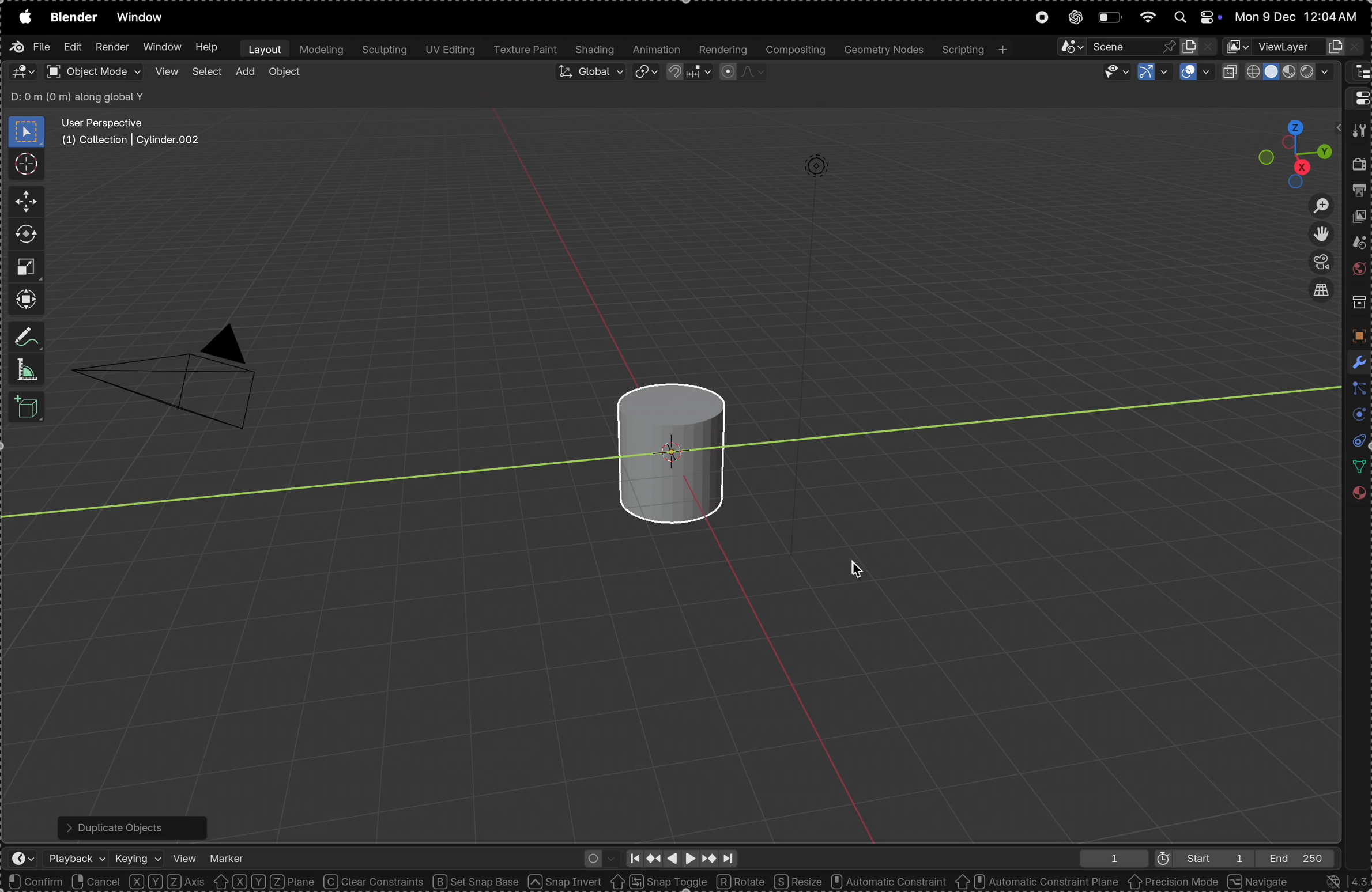 The height and width of the screenshot is (892, 1372). I want to click on 1, so click(1109, 858).